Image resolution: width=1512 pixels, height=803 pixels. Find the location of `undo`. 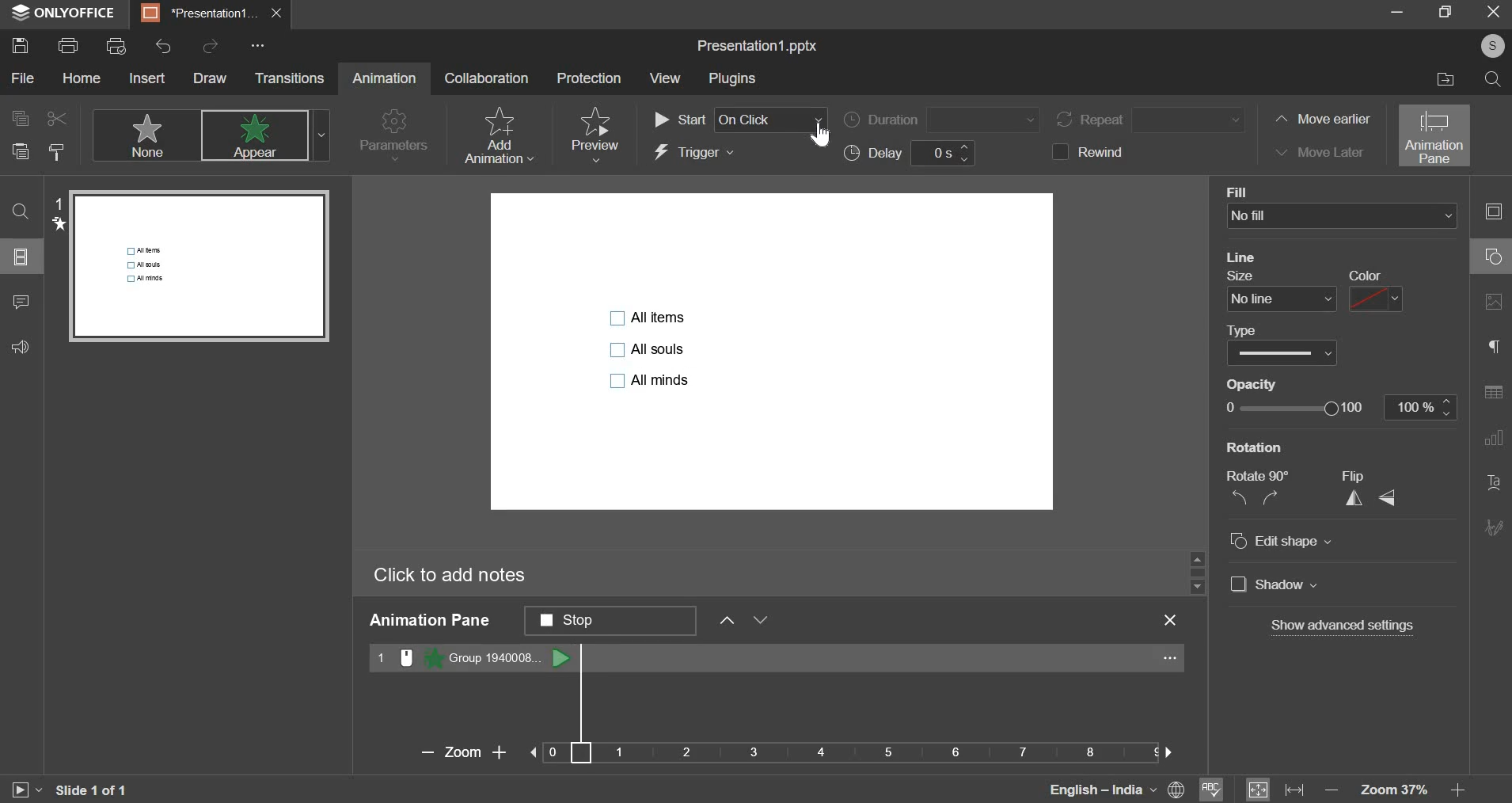

undo is located at coordinates (163, 47).